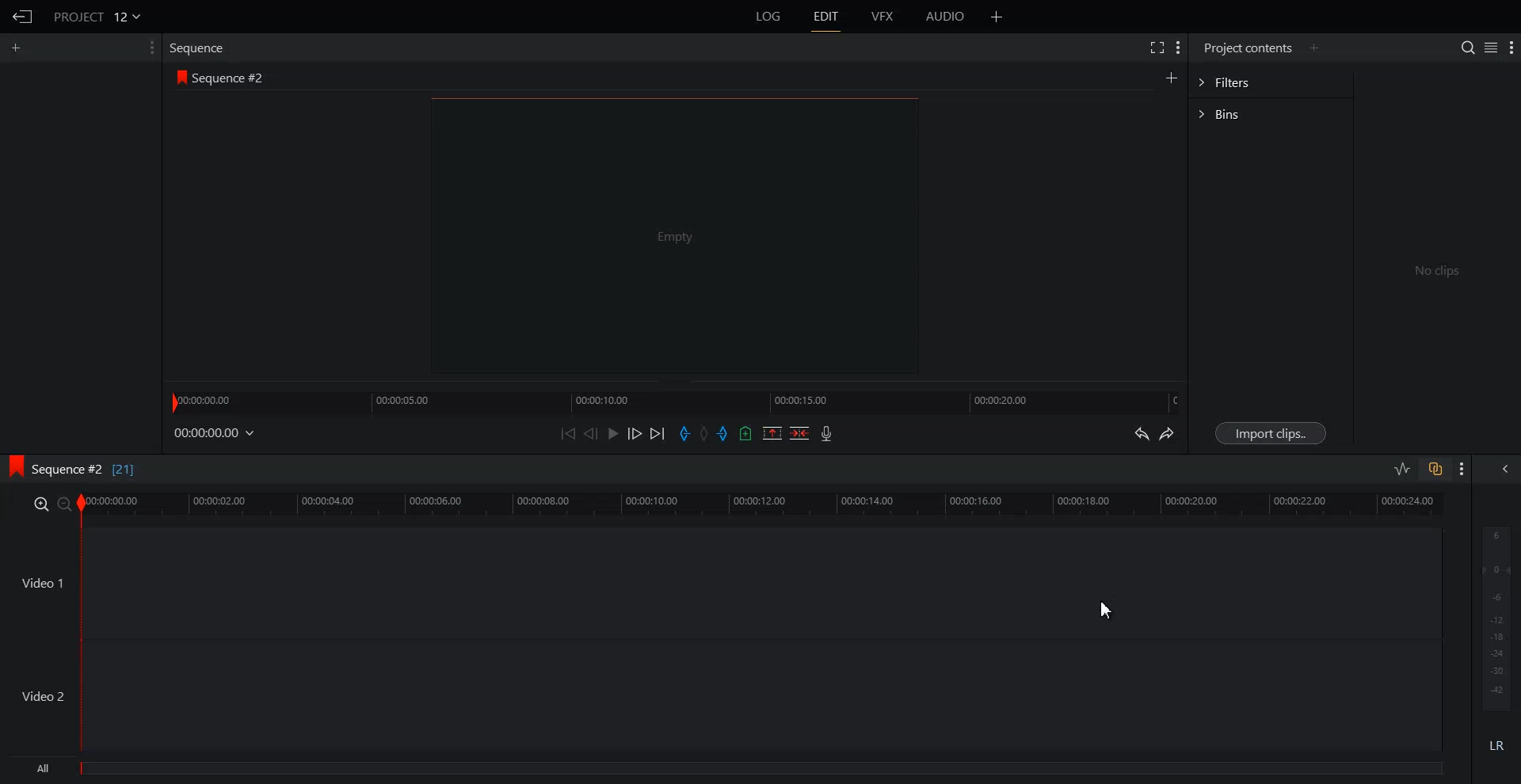 The image size is (1521, 784). I want to click on EDIT, so click(829, 17).